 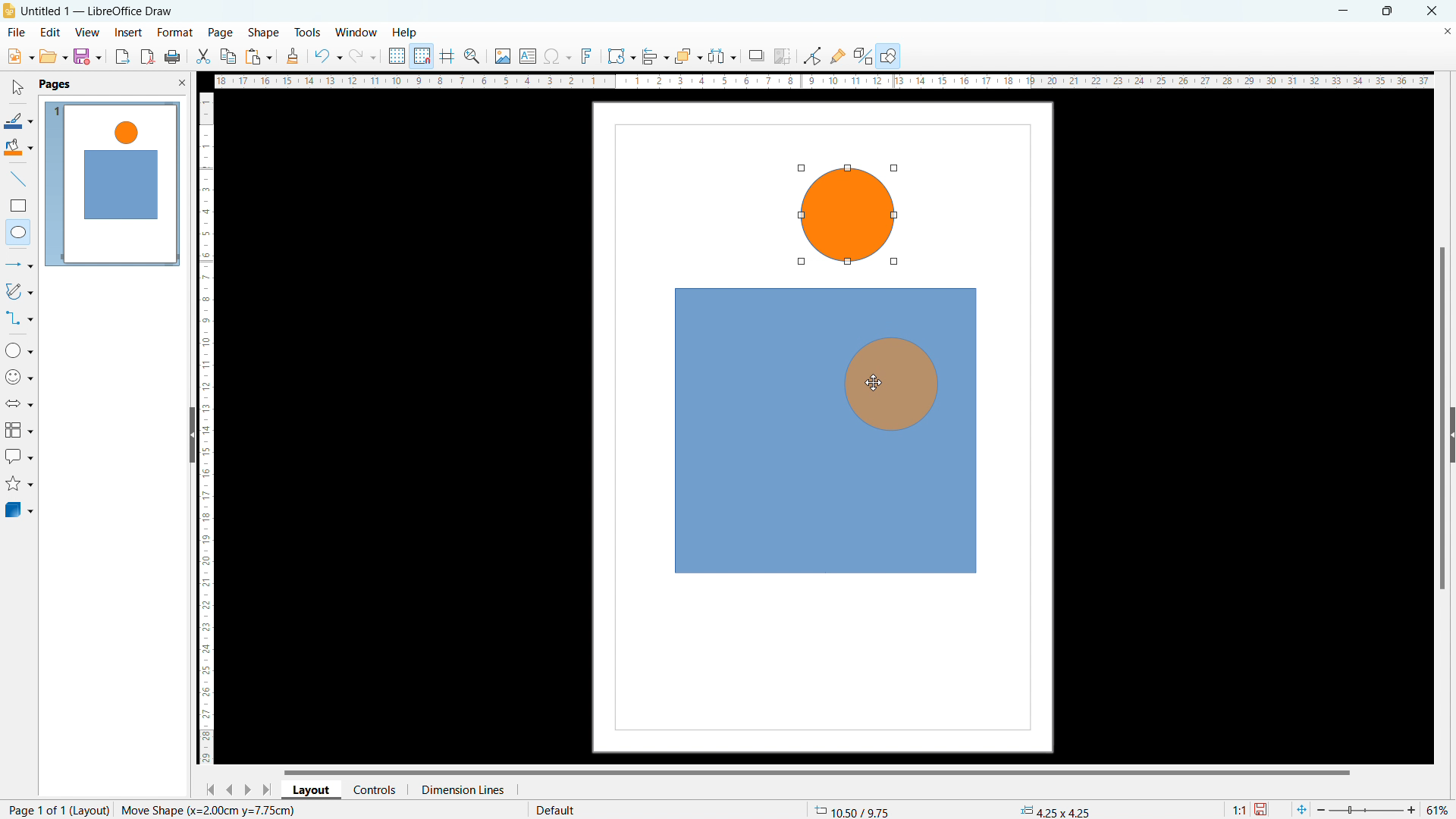 I want to click on show gluepoint functions, so click(x=838, y=55).